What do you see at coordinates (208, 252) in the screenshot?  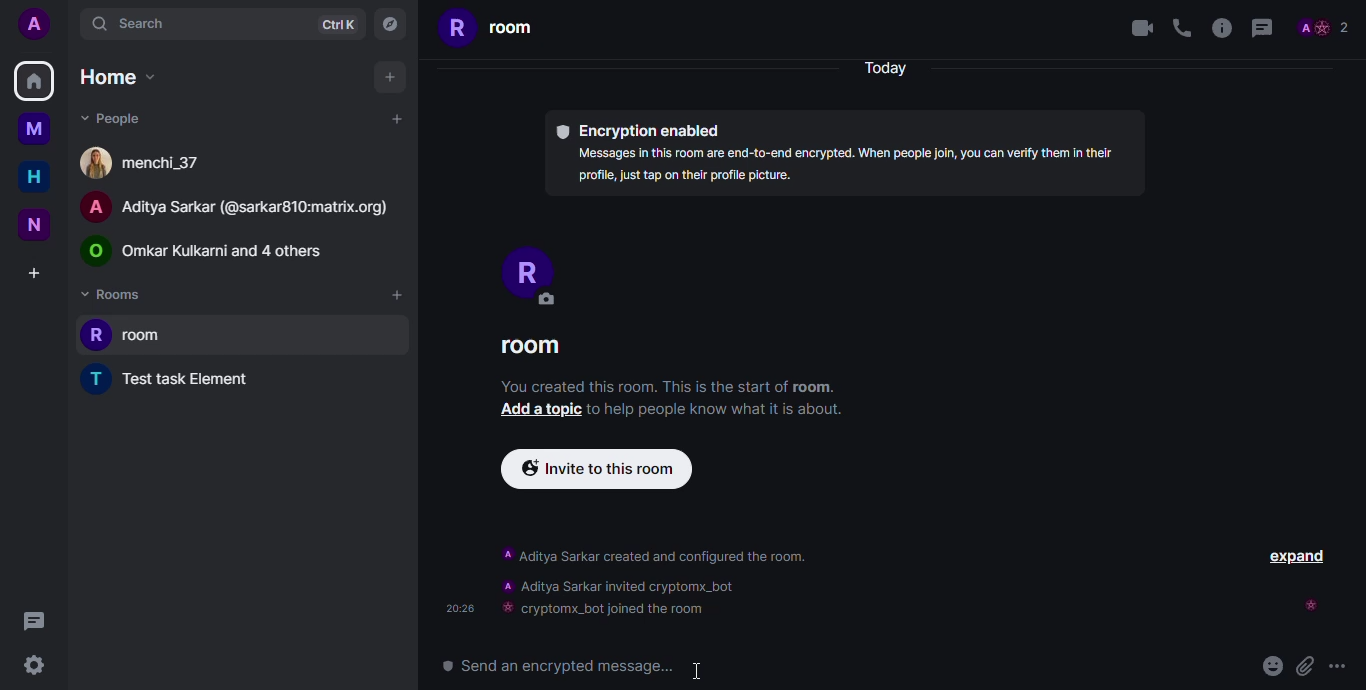 I see `©  Omkar Kulkarni and 4 others` at bounding box center [208, 252].